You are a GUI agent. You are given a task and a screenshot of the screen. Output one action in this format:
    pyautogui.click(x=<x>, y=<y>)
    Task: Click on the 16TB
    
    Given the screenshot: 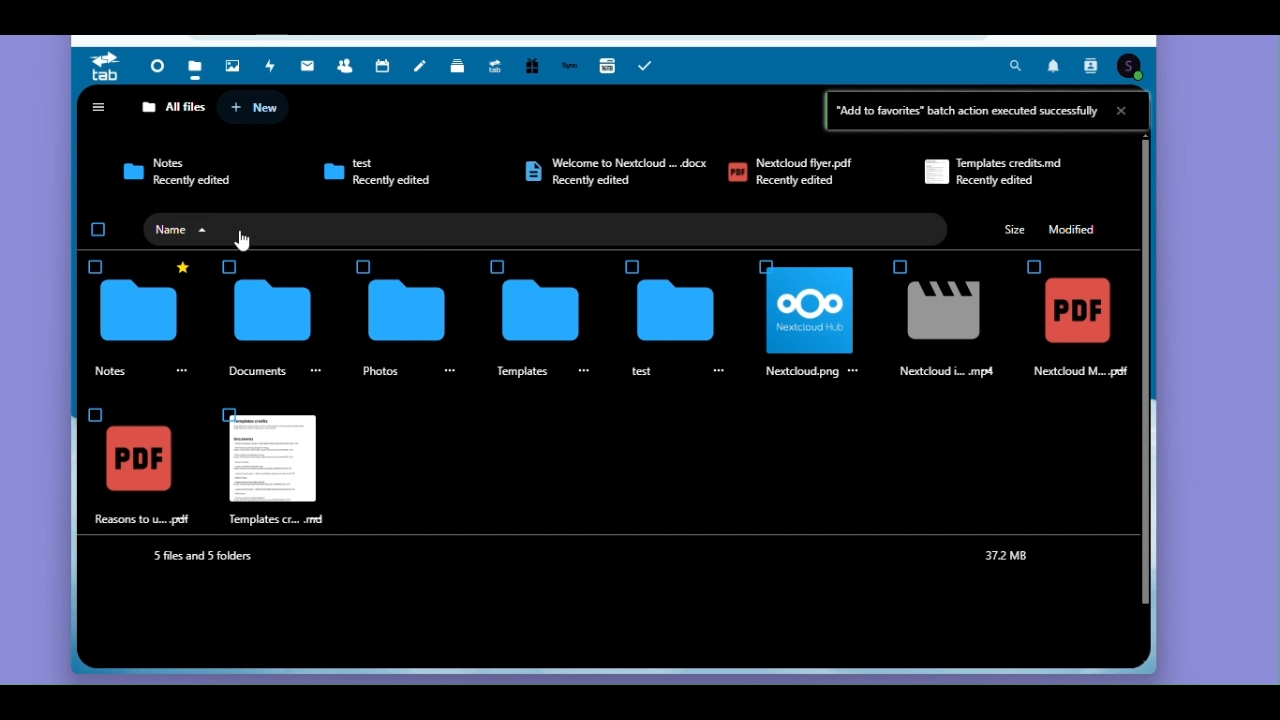 What is the action you would take?
    pyautogui.click(x=607, y=62)
    